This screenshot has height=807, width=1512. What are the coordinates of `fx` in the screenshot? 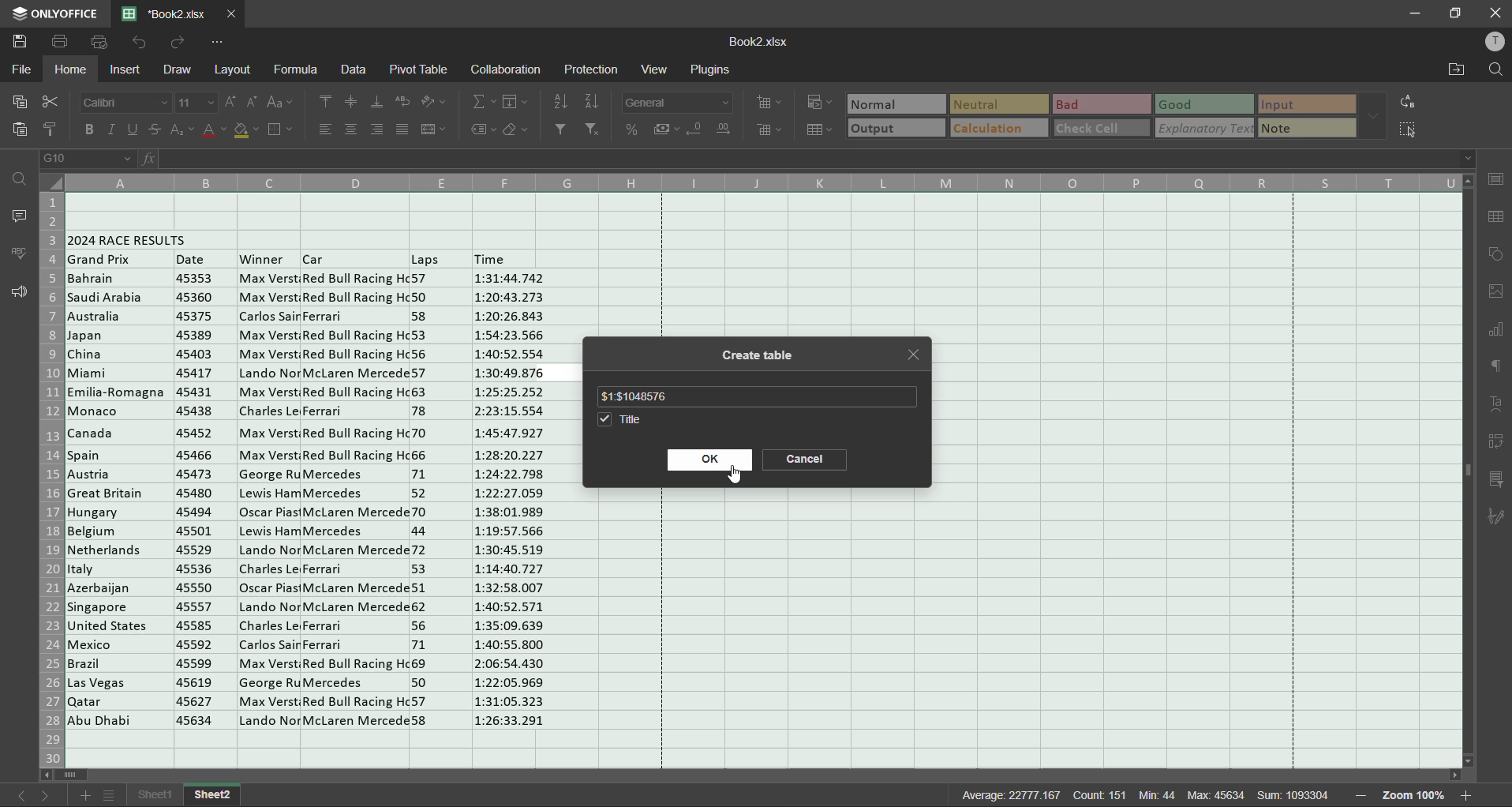 It's located at (151, 160).